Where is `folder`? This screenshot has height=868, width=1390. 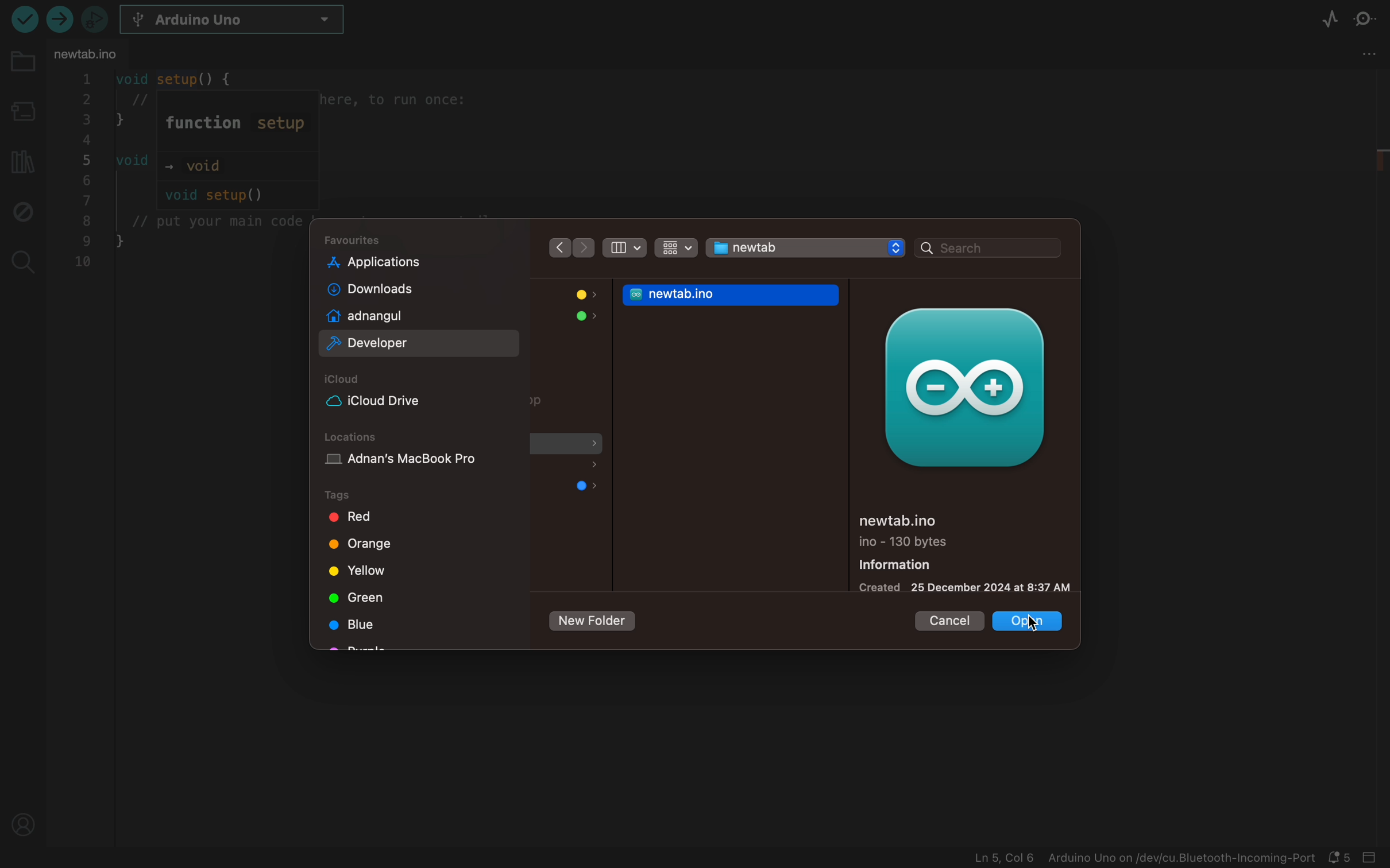 folder is located at coordinates (22, 69).